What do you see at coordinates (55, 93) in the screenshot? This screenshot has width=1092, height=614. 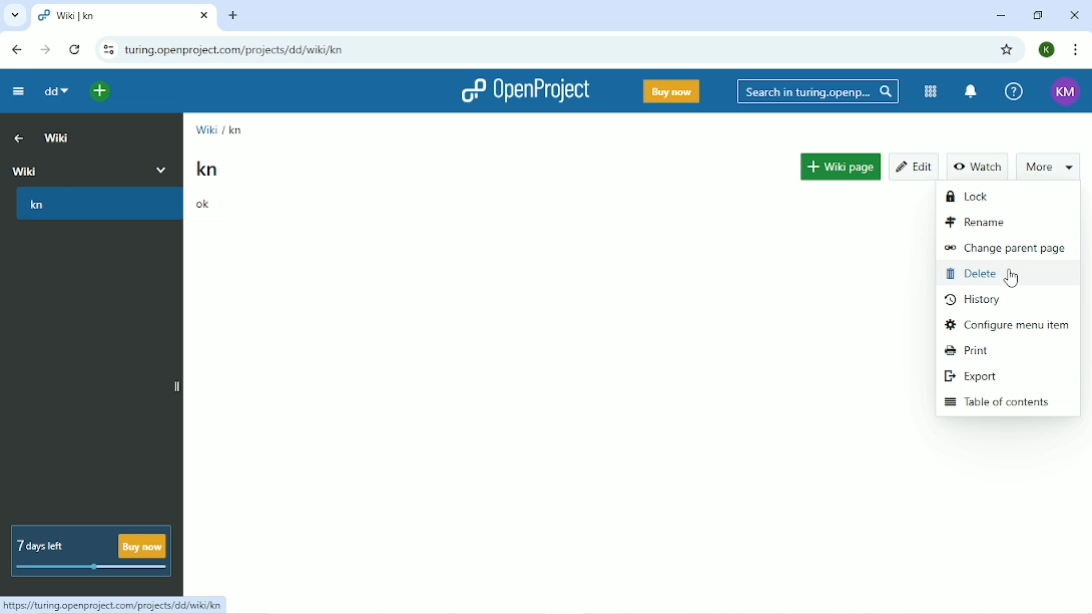 I see `dd` at bounding box center [55, 93].